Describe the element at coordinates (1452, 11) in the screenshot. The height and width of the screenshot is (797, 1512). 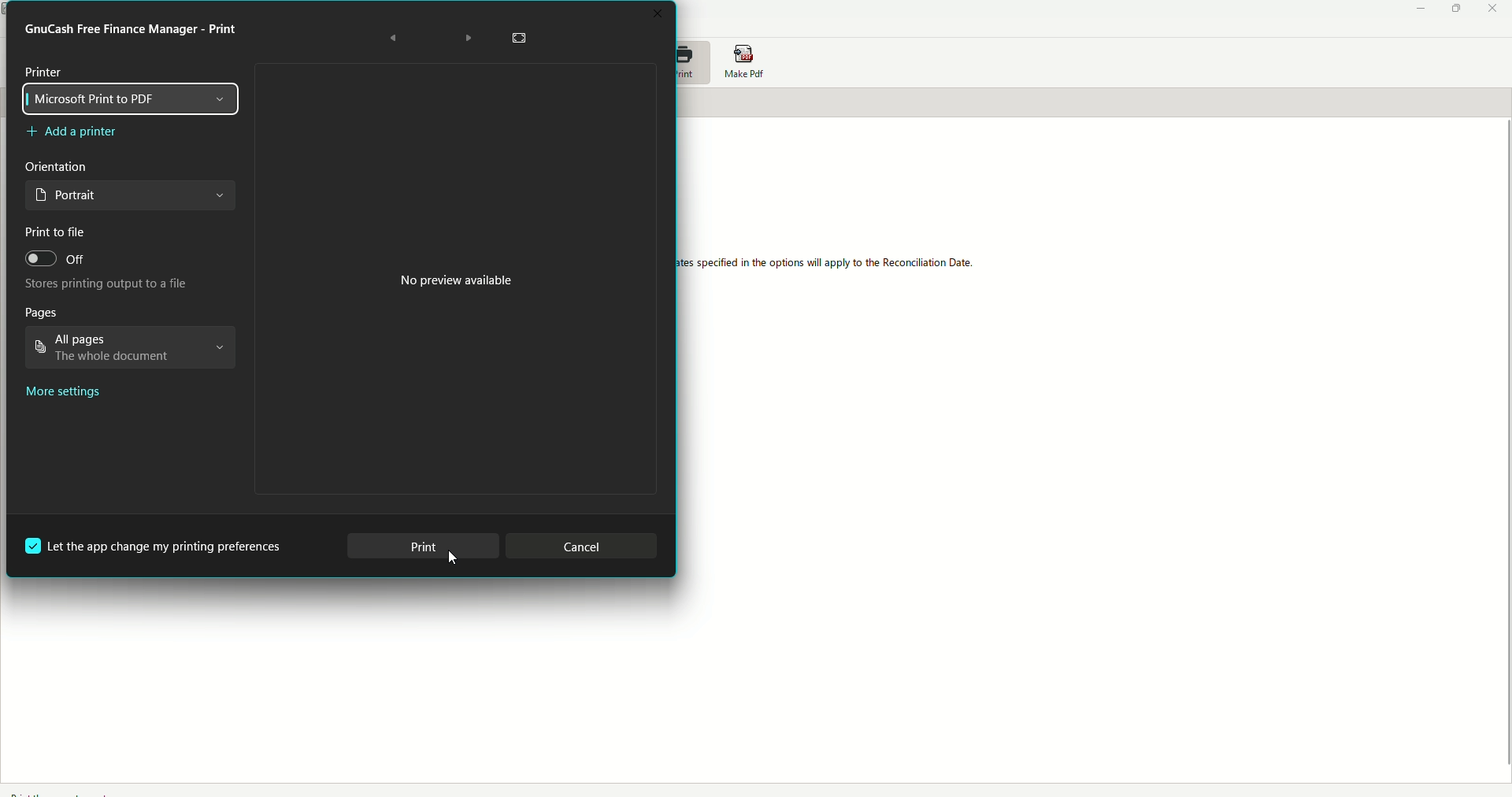
I see `Restore` at that location.